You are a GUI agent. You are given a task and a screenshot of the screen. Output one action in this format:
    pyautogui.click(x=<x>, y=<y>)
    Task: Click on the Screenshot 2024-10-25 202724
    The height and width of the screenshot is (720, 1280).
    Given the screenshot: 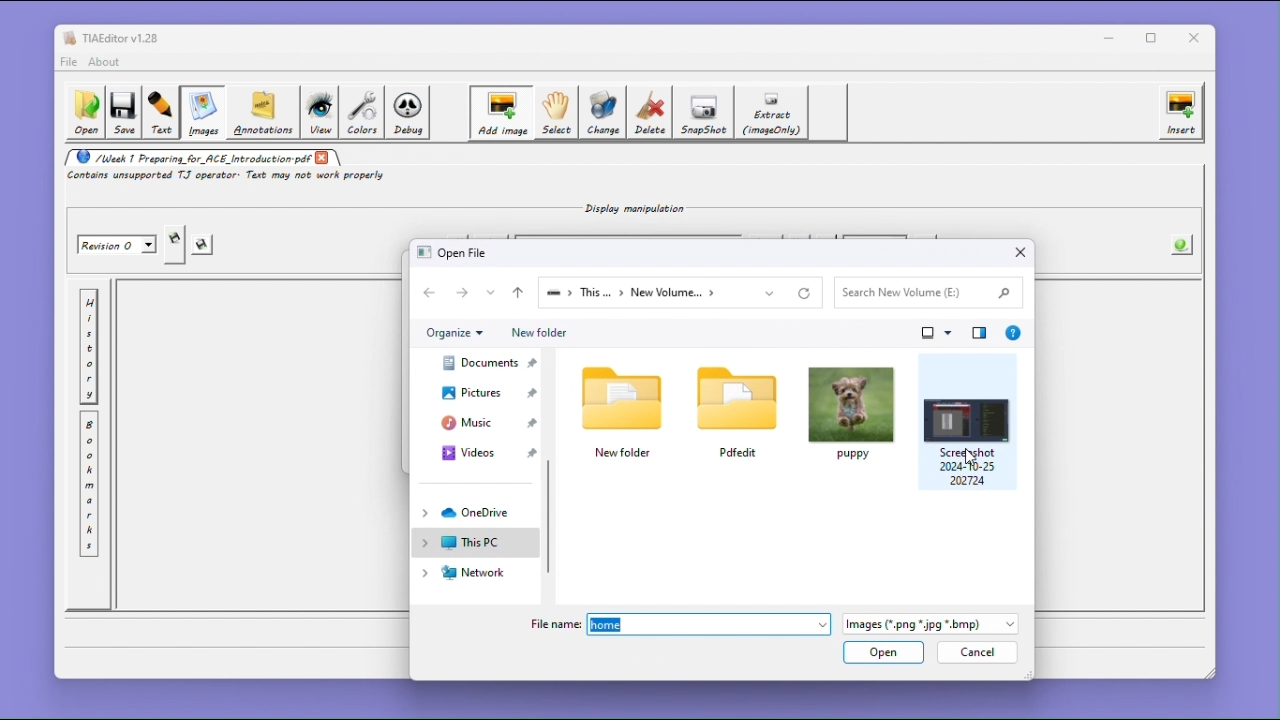 What is the action you would take?
    pyautogui.click(x=967, y=421)
    